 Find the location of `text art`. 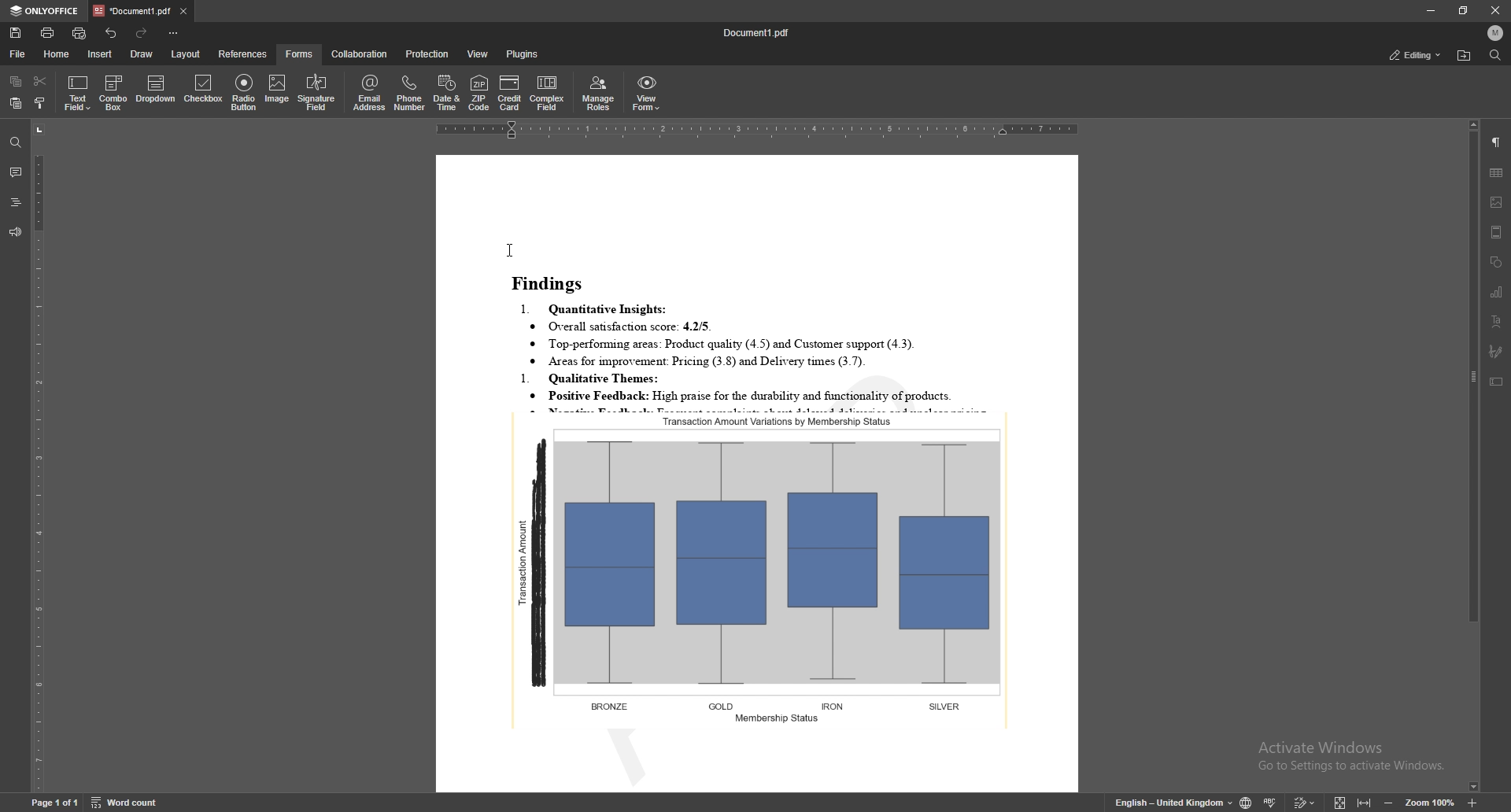

text art is located at coordinates (1496, 322).